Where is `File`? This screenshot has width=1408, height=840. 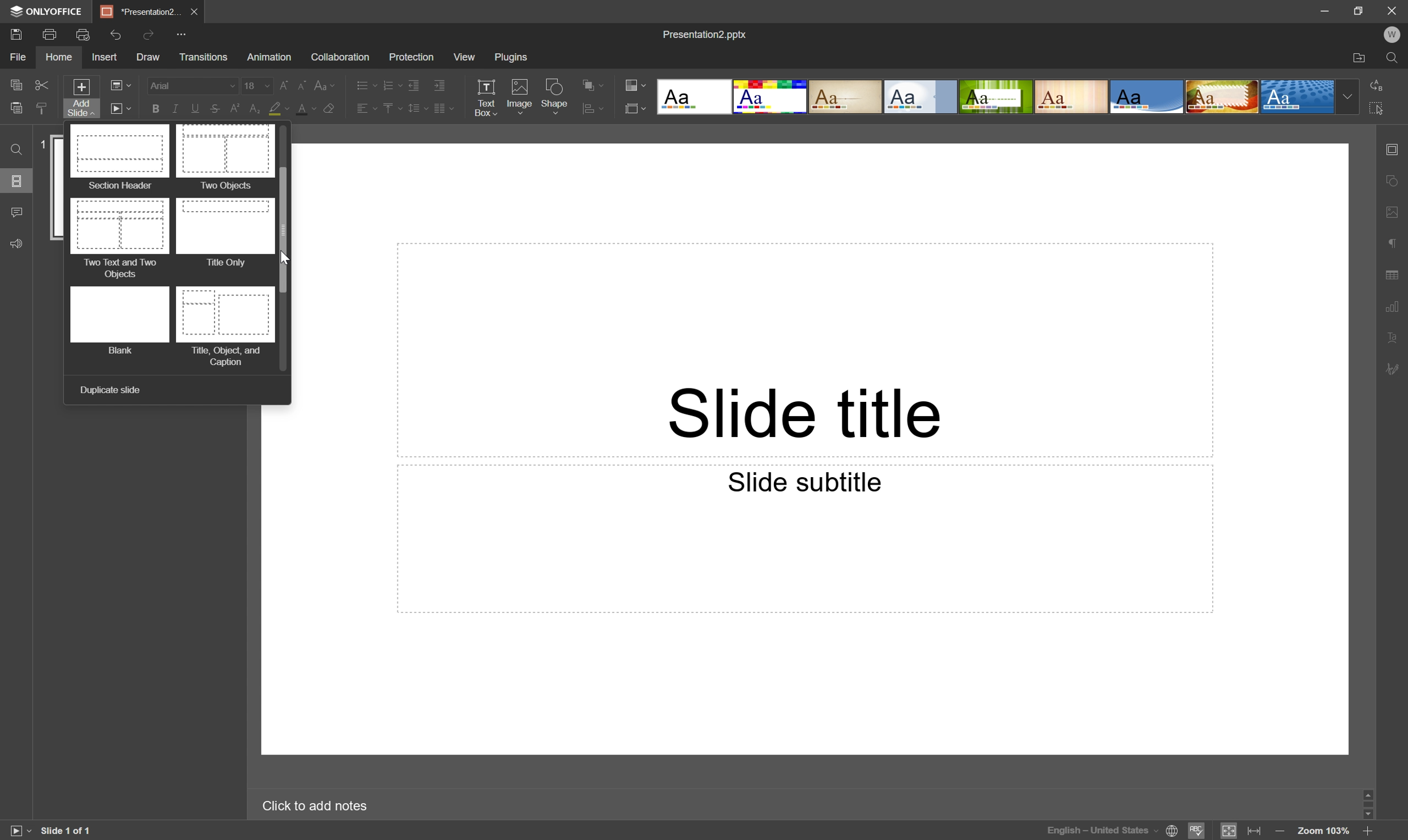
File is located at coordinates (19, 57).